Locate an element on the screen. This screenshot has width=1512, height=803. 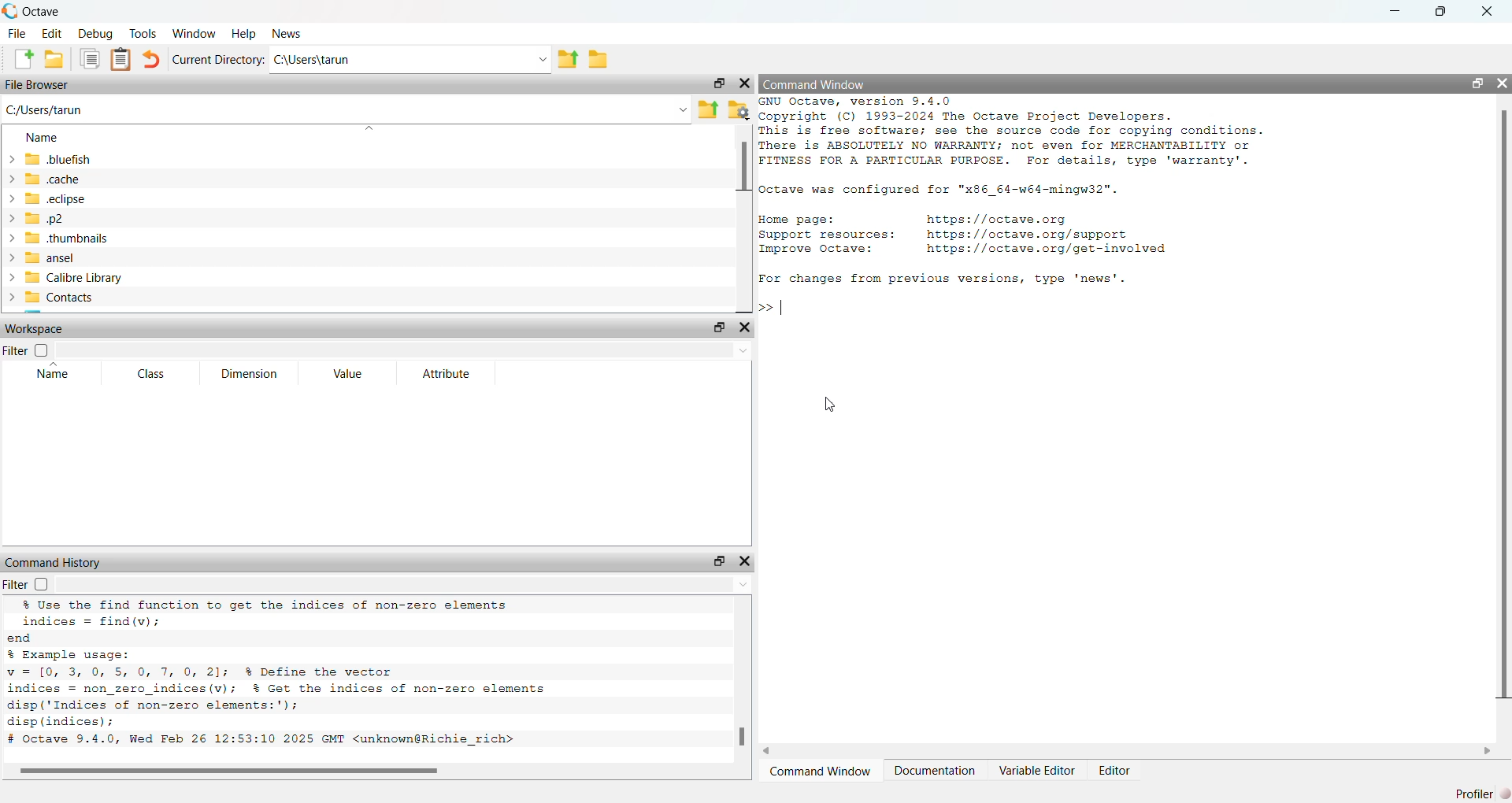
typing cursor is located at coordinates (776, 307).